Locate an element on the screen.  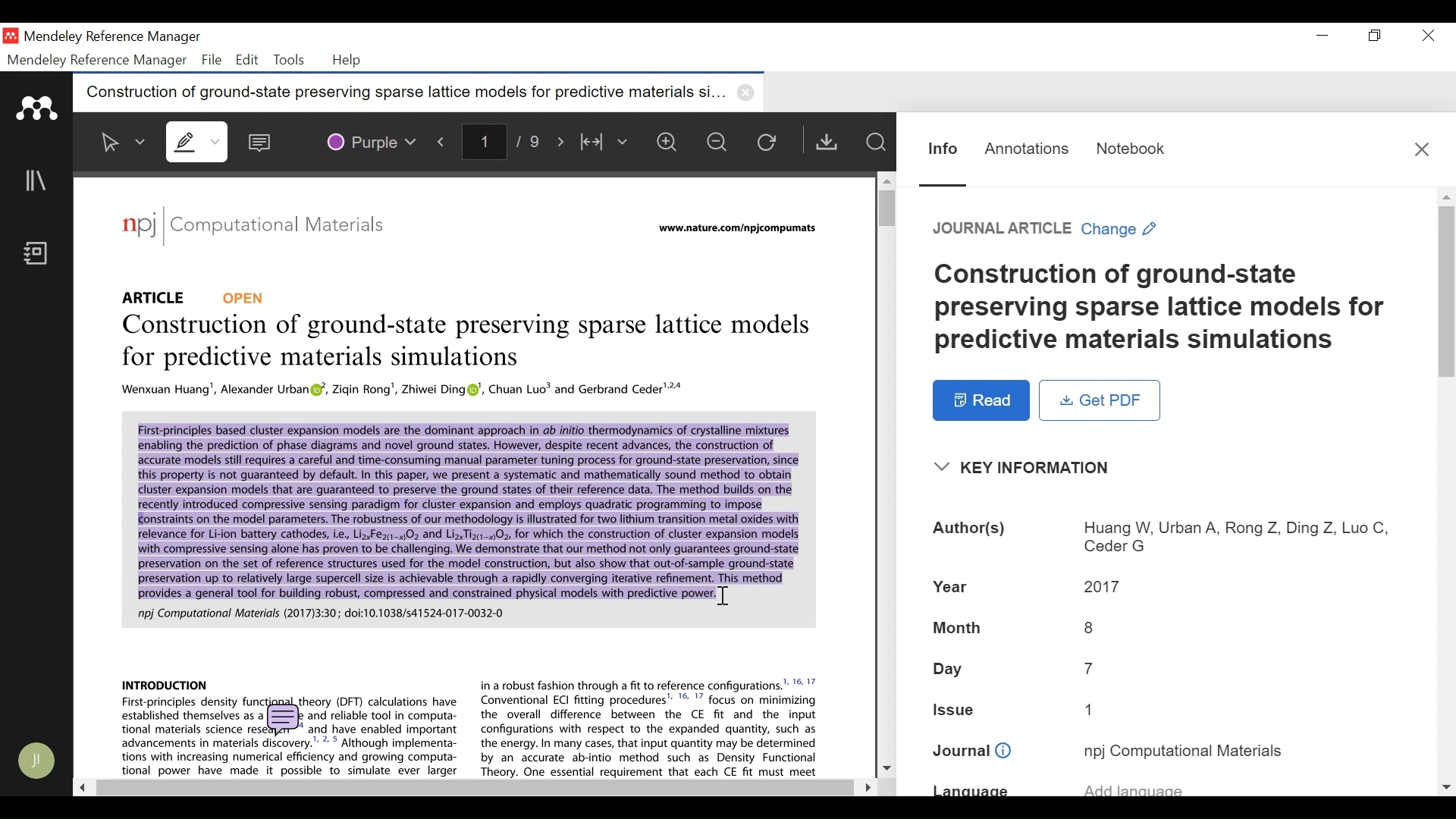
Find in Files is located at coordinates (875, 142).